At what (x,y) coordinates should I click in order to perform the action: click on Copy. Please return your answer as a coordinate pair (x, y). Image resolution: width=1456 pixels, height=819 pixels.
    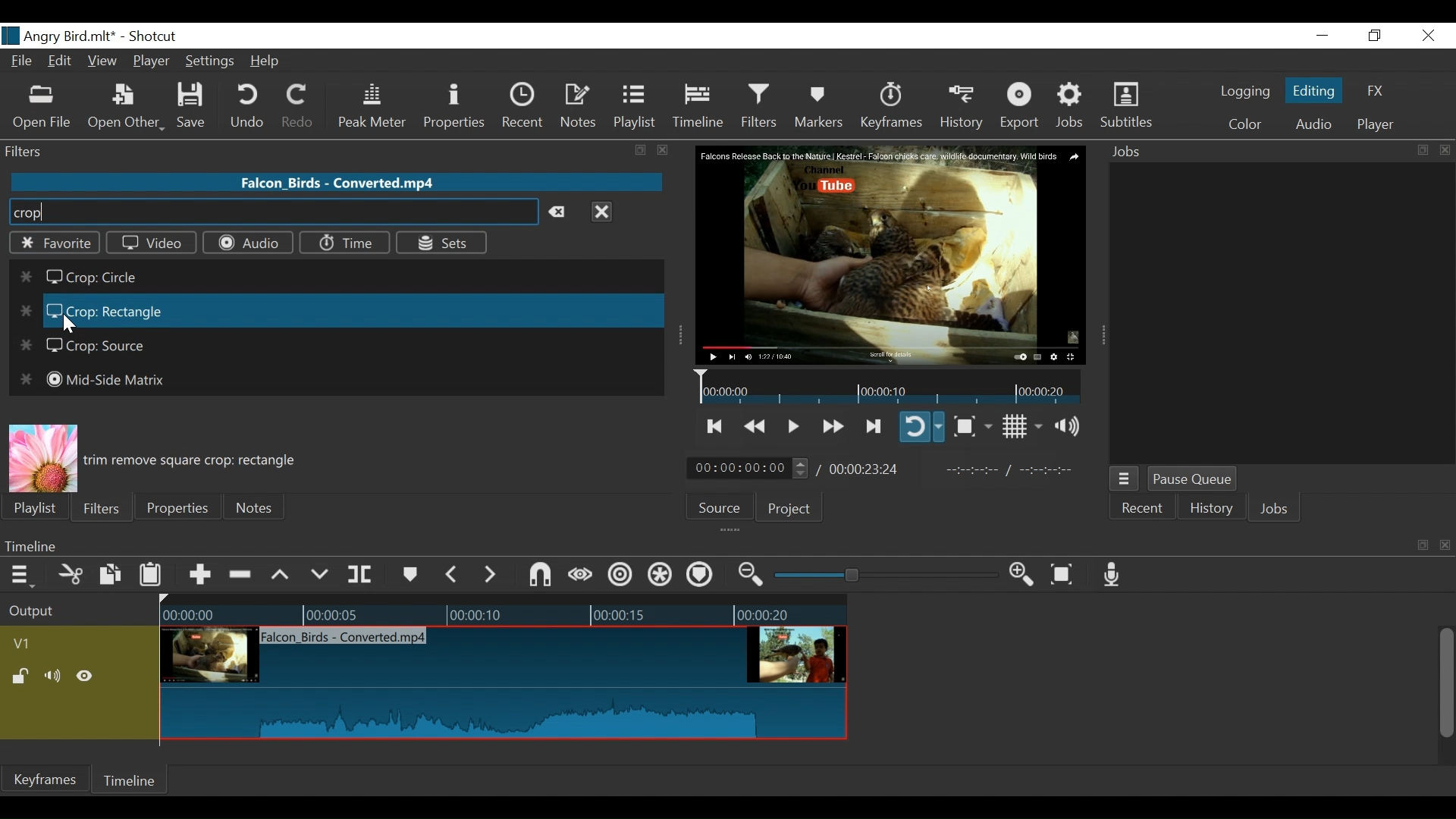
    Looking at the image, I should click on (112, 577).